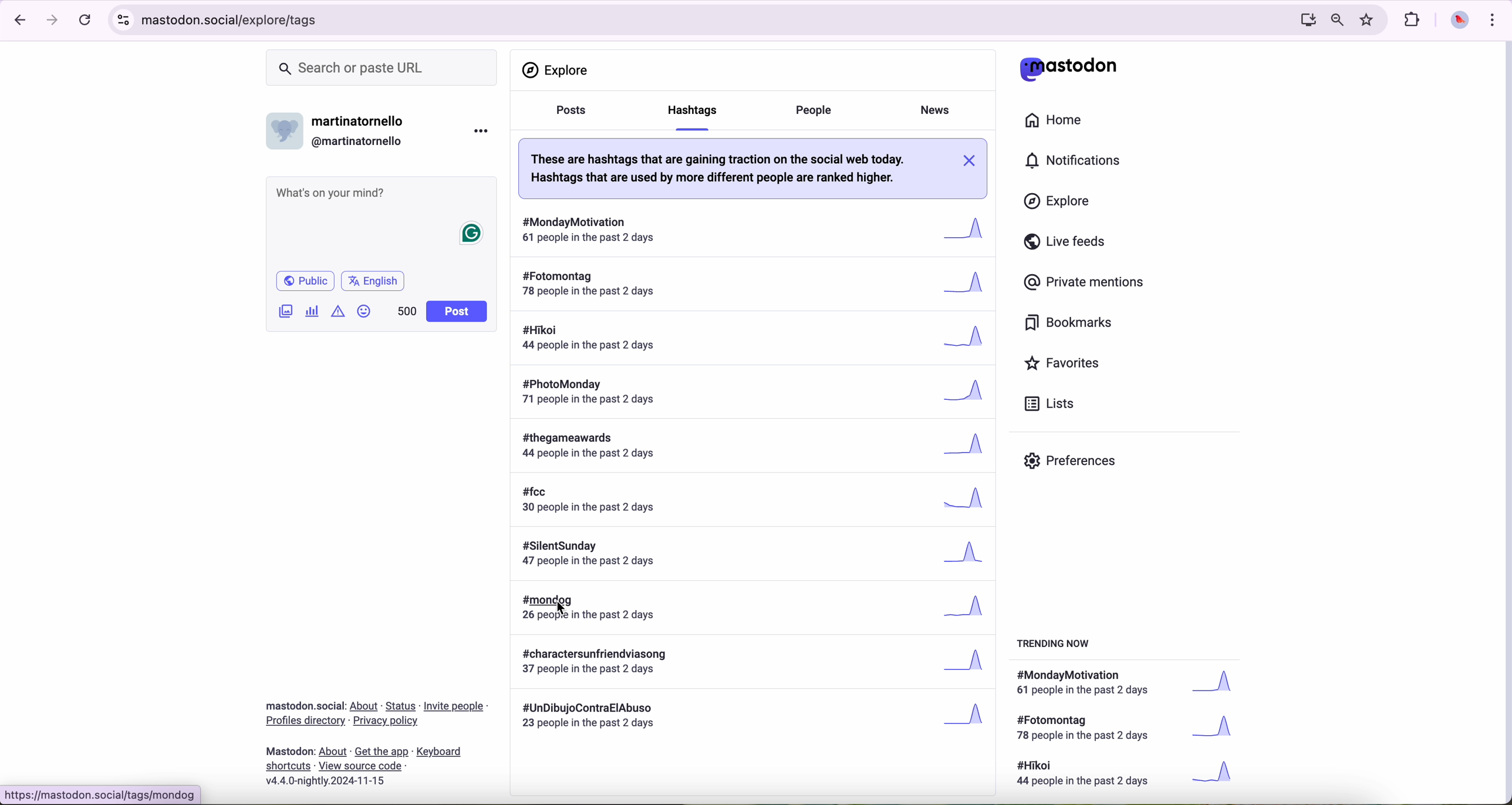  Describe the element at coordinates (289, 767) in the screenshot. I see `link` at that location.